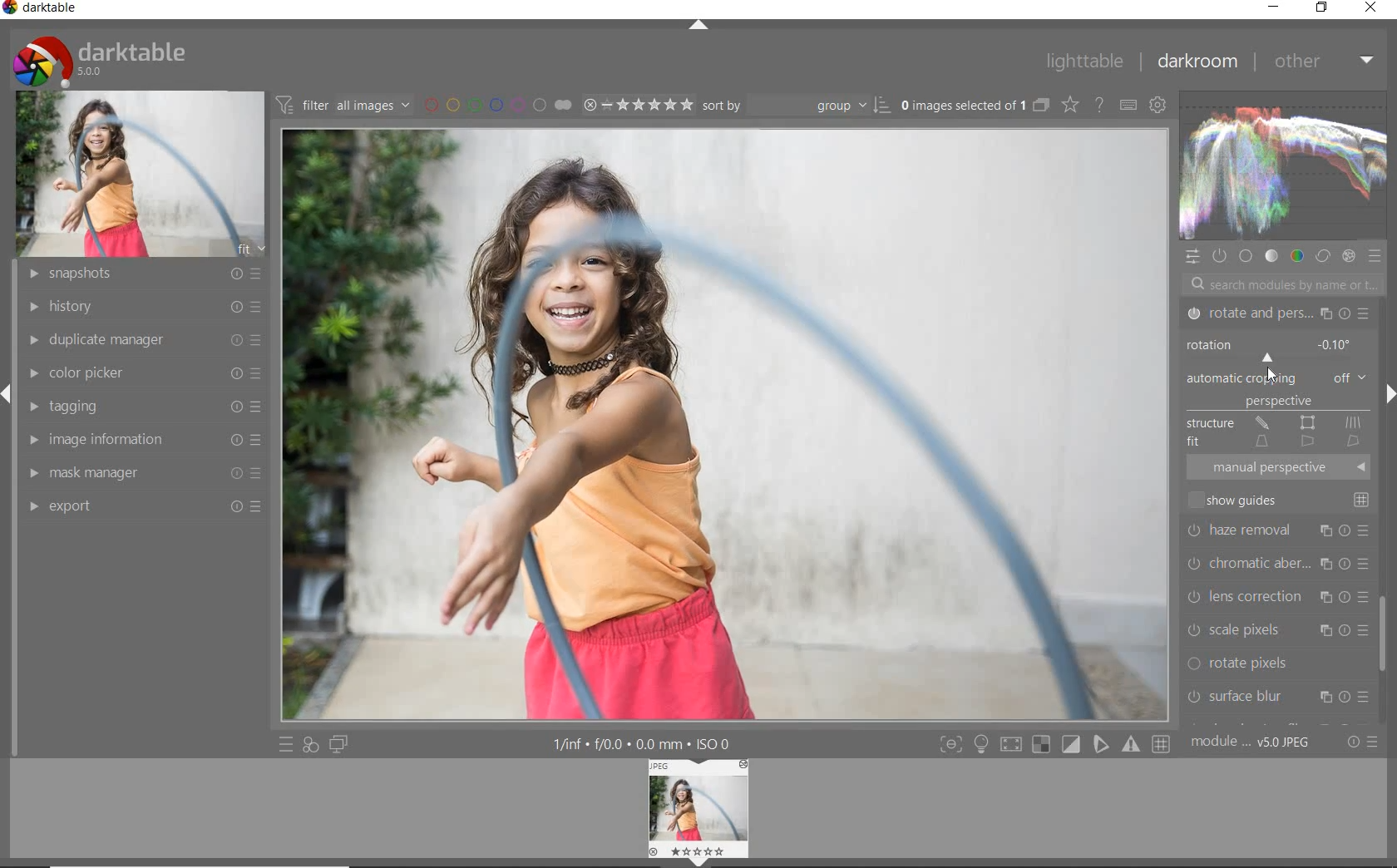 Image resolution: width=1397 pixels, height=868 pixels. What do you see at coordinates (1281, 165) in the screenshot?
I see `waveform` at bounding box center [1281, 165].